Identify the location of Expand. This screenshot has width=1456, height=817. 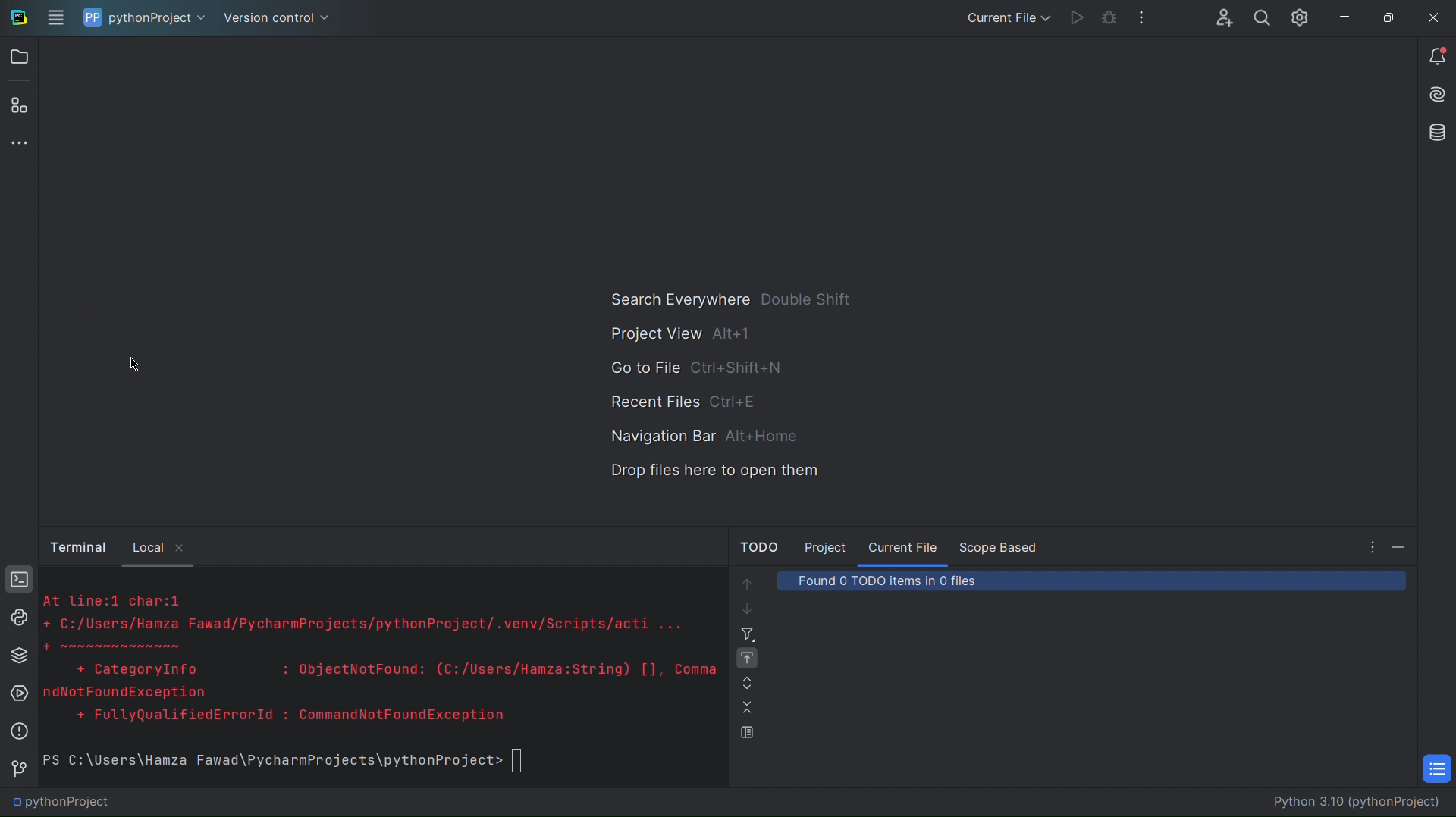
(745, 680).